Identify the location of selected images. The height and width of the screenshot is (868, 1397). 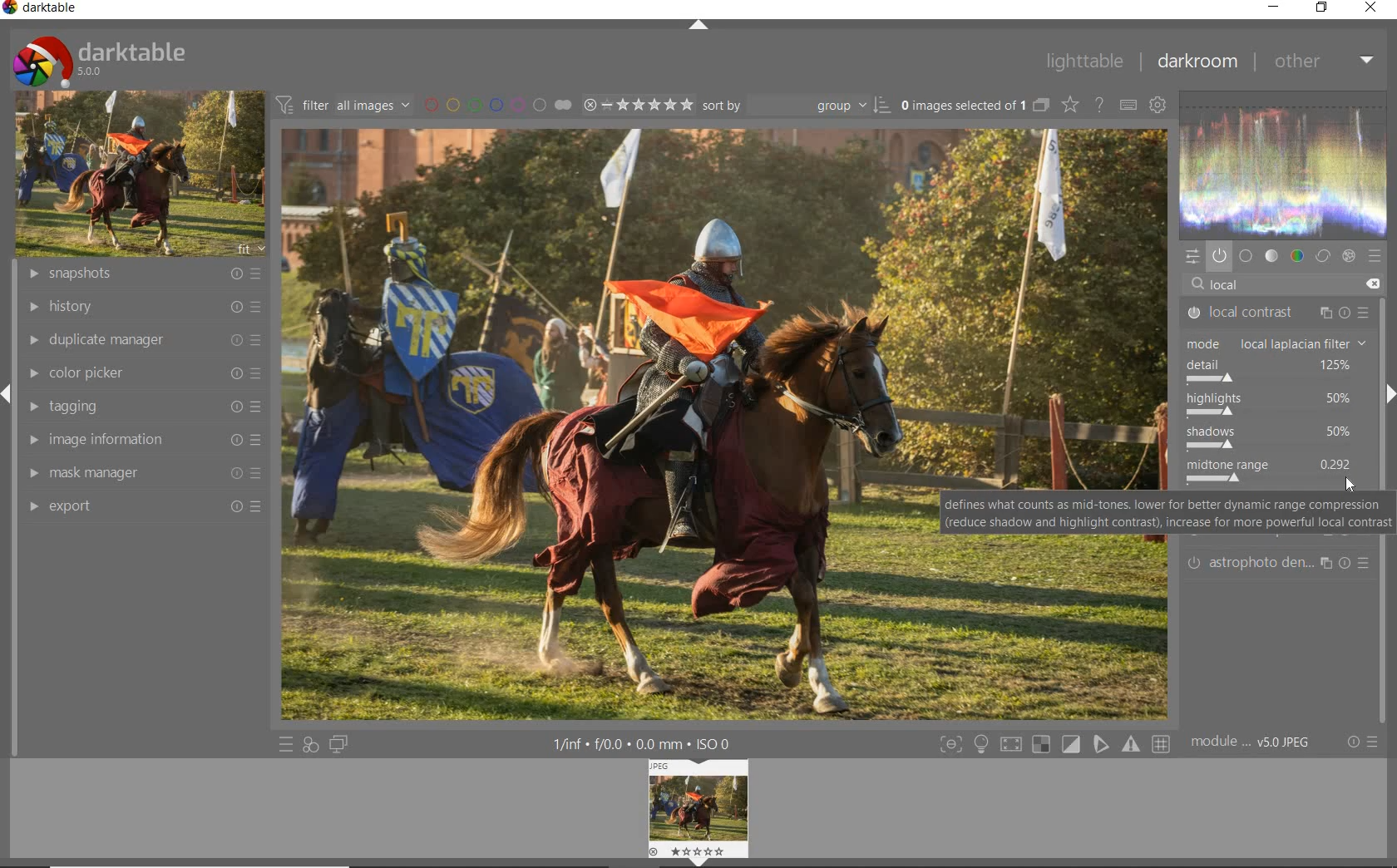
(973, 104).